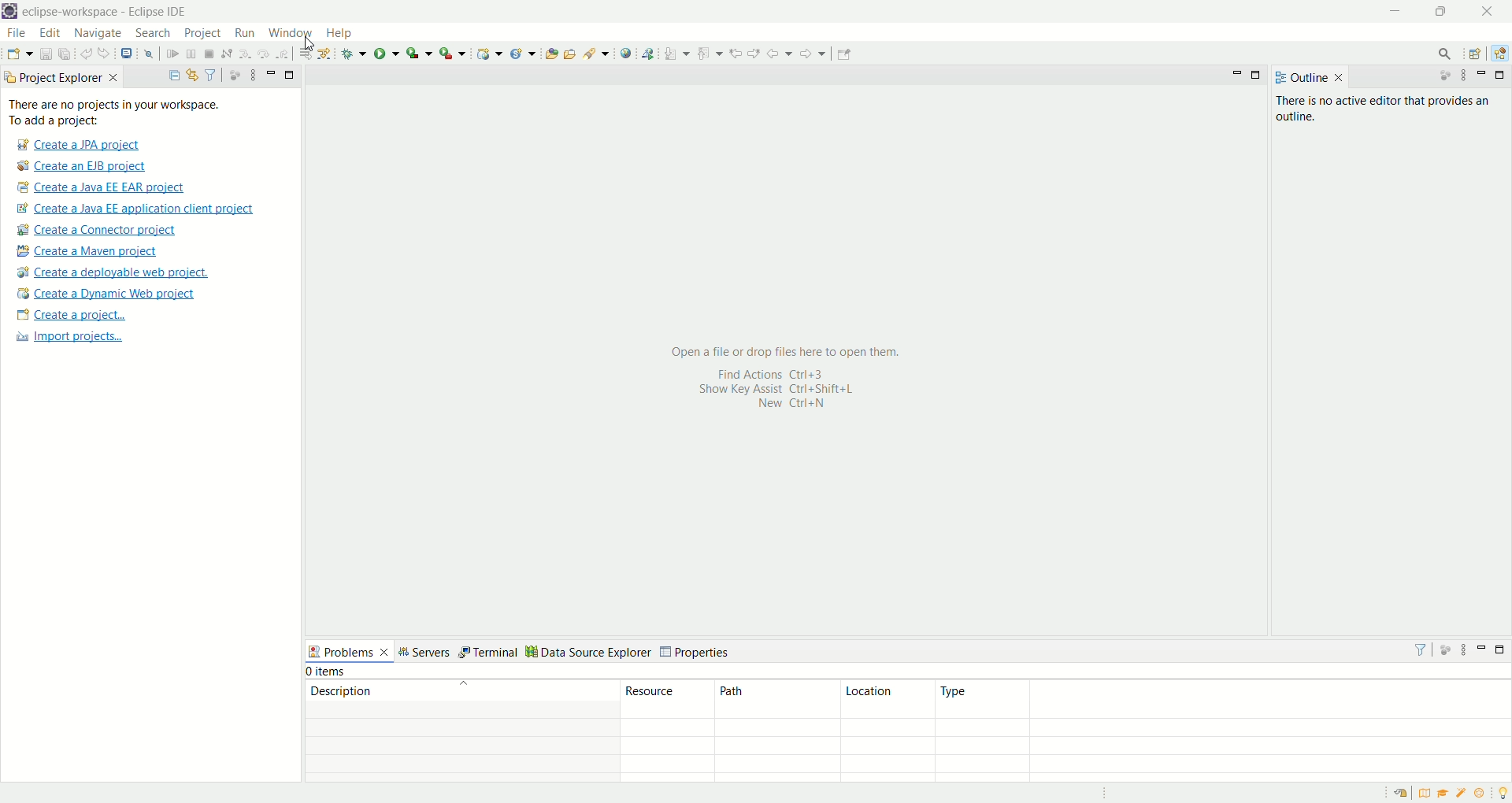 The width and height of the screenshot is (1512, 803). What do you see at coordinates (148, 54) in the screenshot?
I see `skip all the breakpoints` at bounding box center [148, 54].